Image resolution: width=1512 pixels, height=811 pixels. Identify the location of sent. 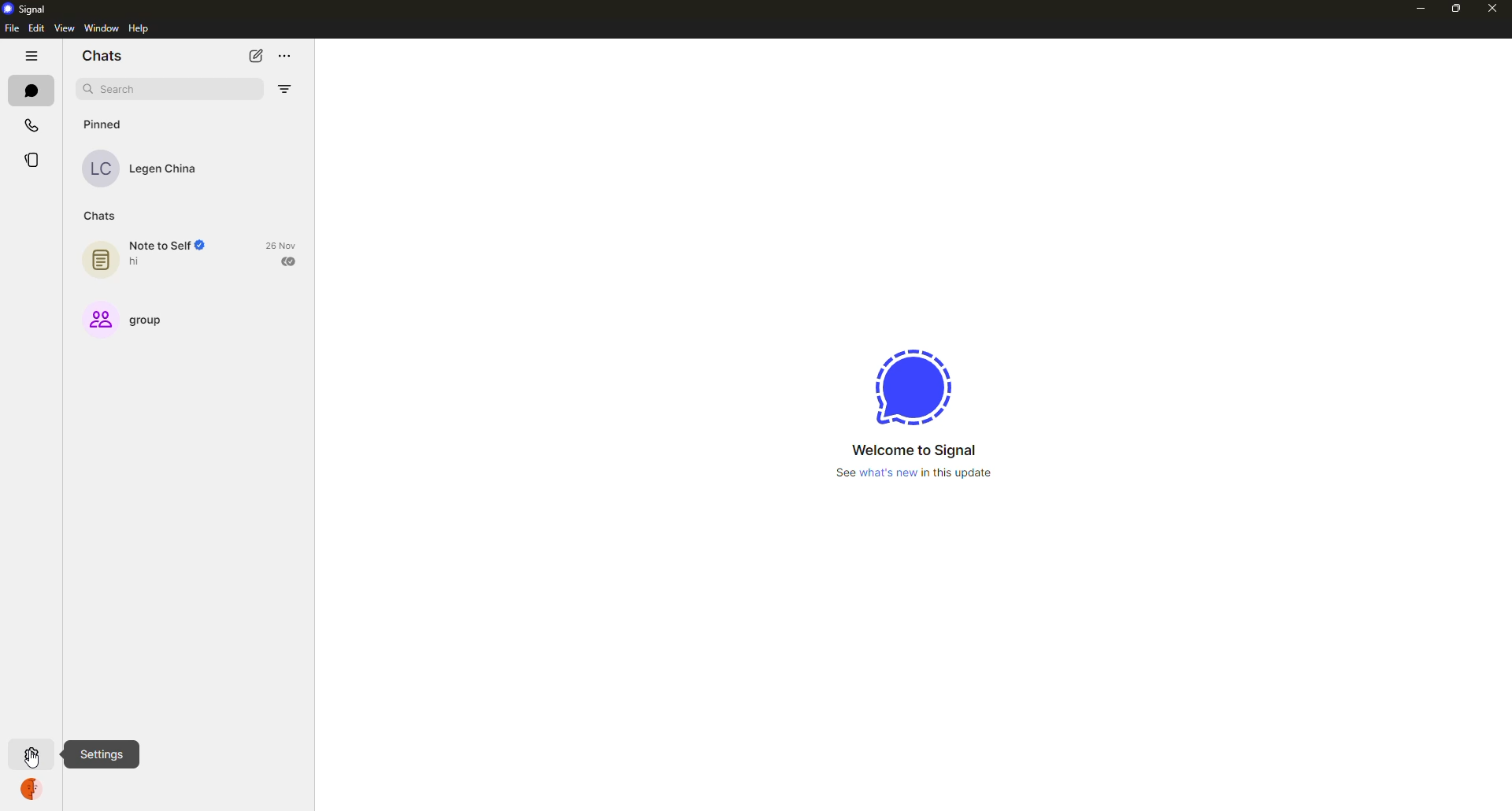
(290, 261).